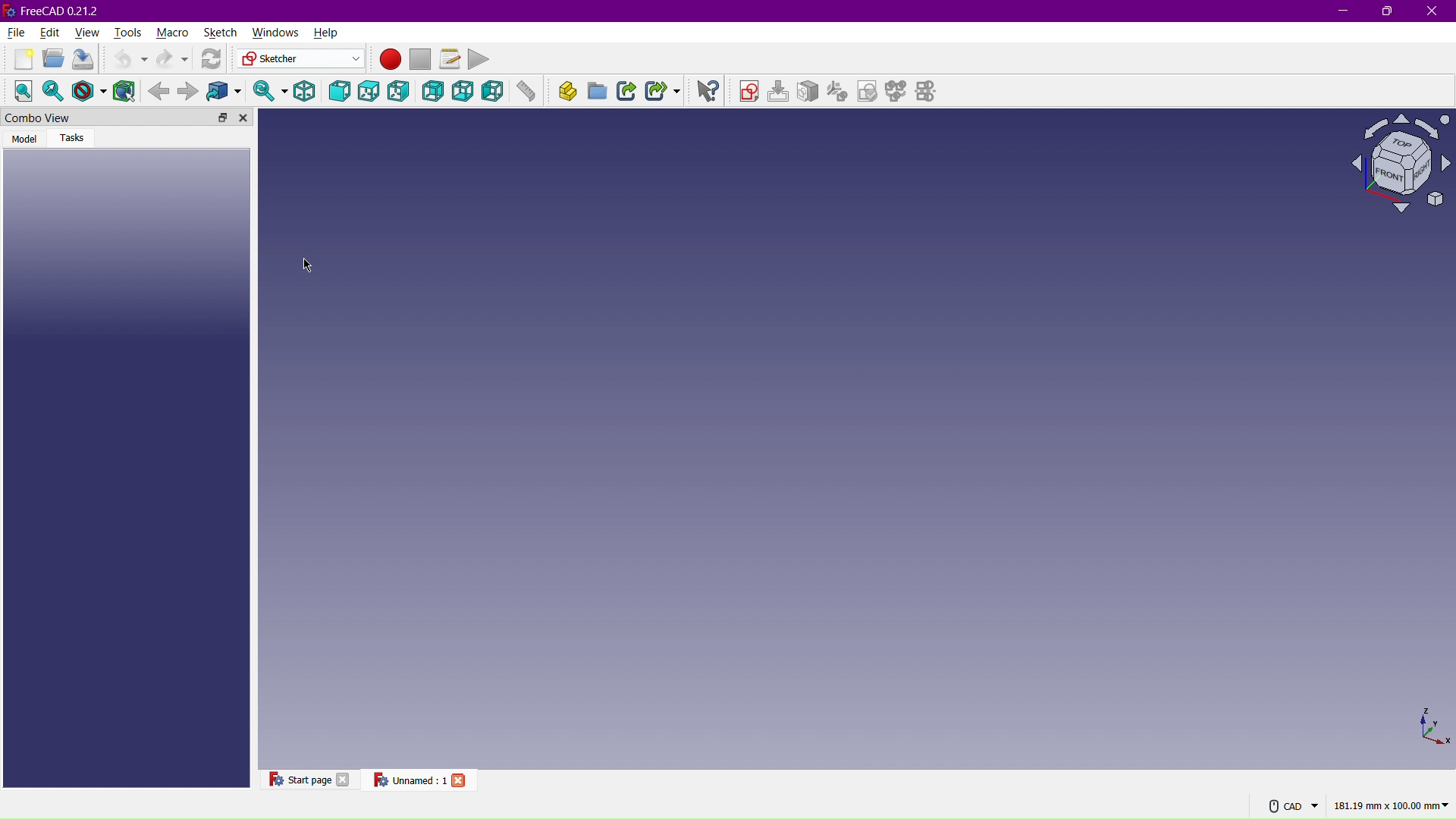 The width and height of the screenshot is (1456, 819). What do you see at coordinates (781, 91) in the screenshot?
I see `Edit the selected sketch` at bounding box center [781, 91].